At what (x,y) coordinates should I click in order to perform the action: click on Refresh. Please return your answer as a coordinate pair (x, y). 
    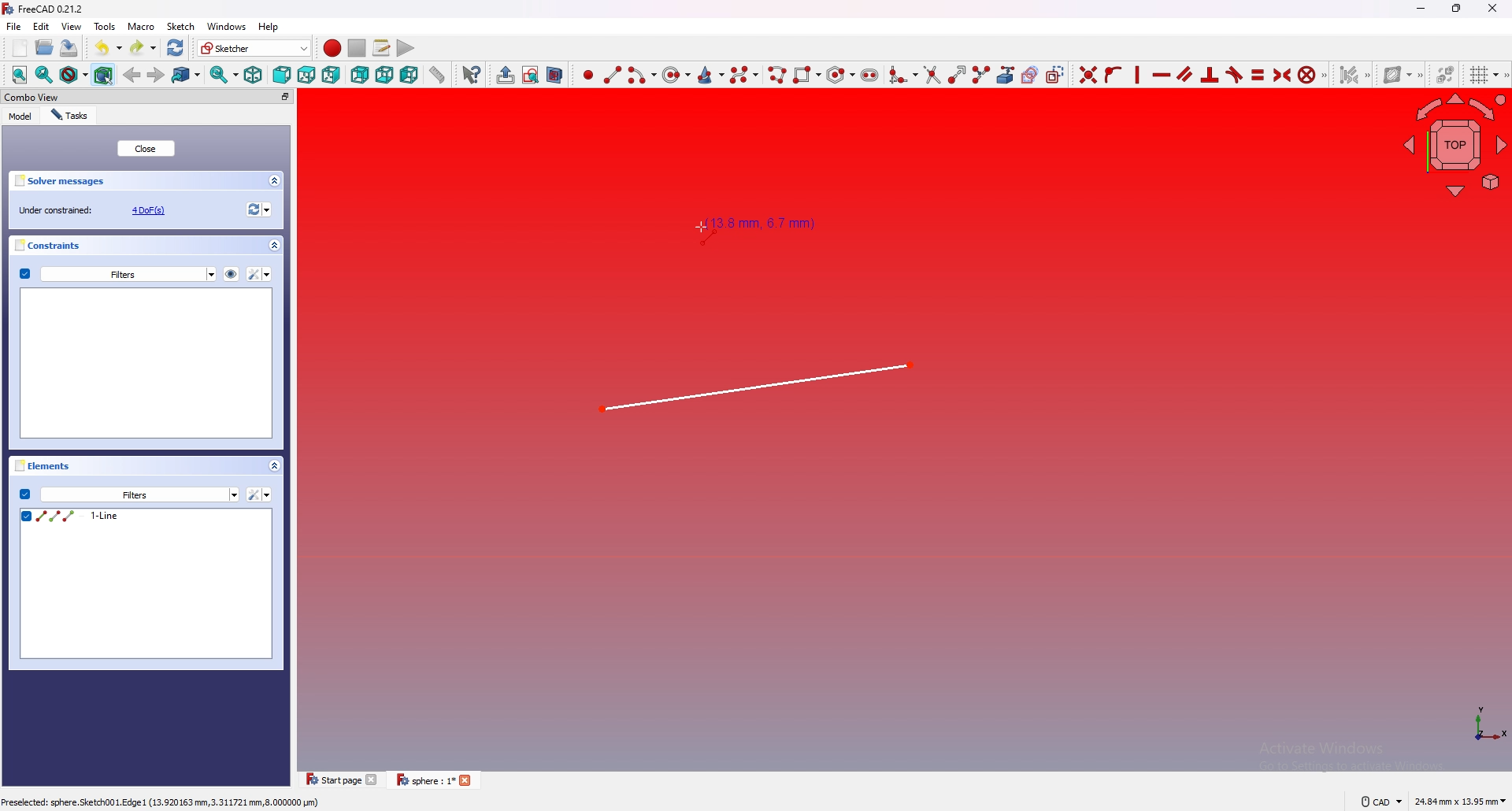
    Looking at the image, I should click on (176, 46).